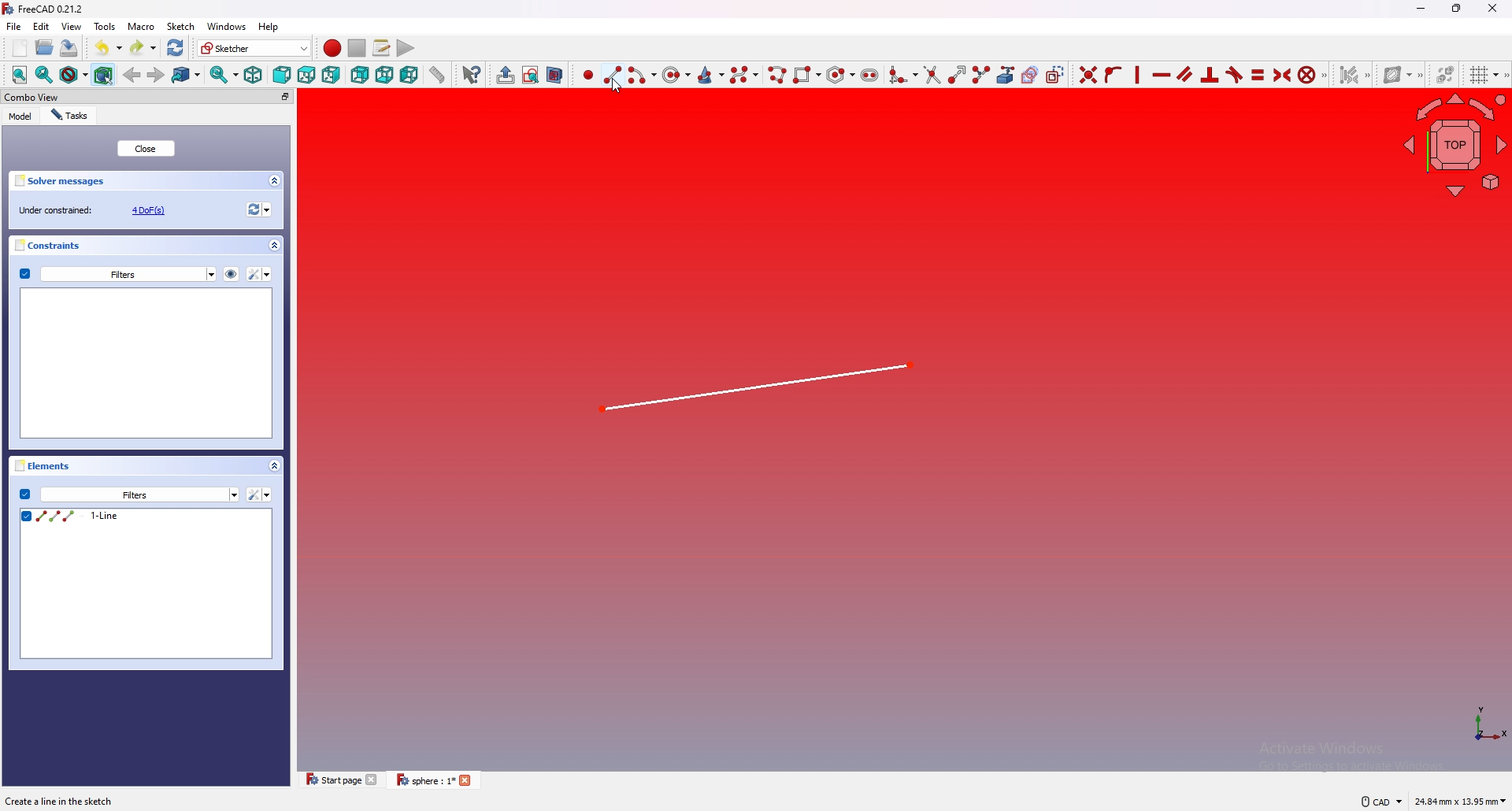 The image size is (1512, 811). What do you see at coordinates (332, 75) in the screenshot?
I see `Right` at bounding box center [332, 75].